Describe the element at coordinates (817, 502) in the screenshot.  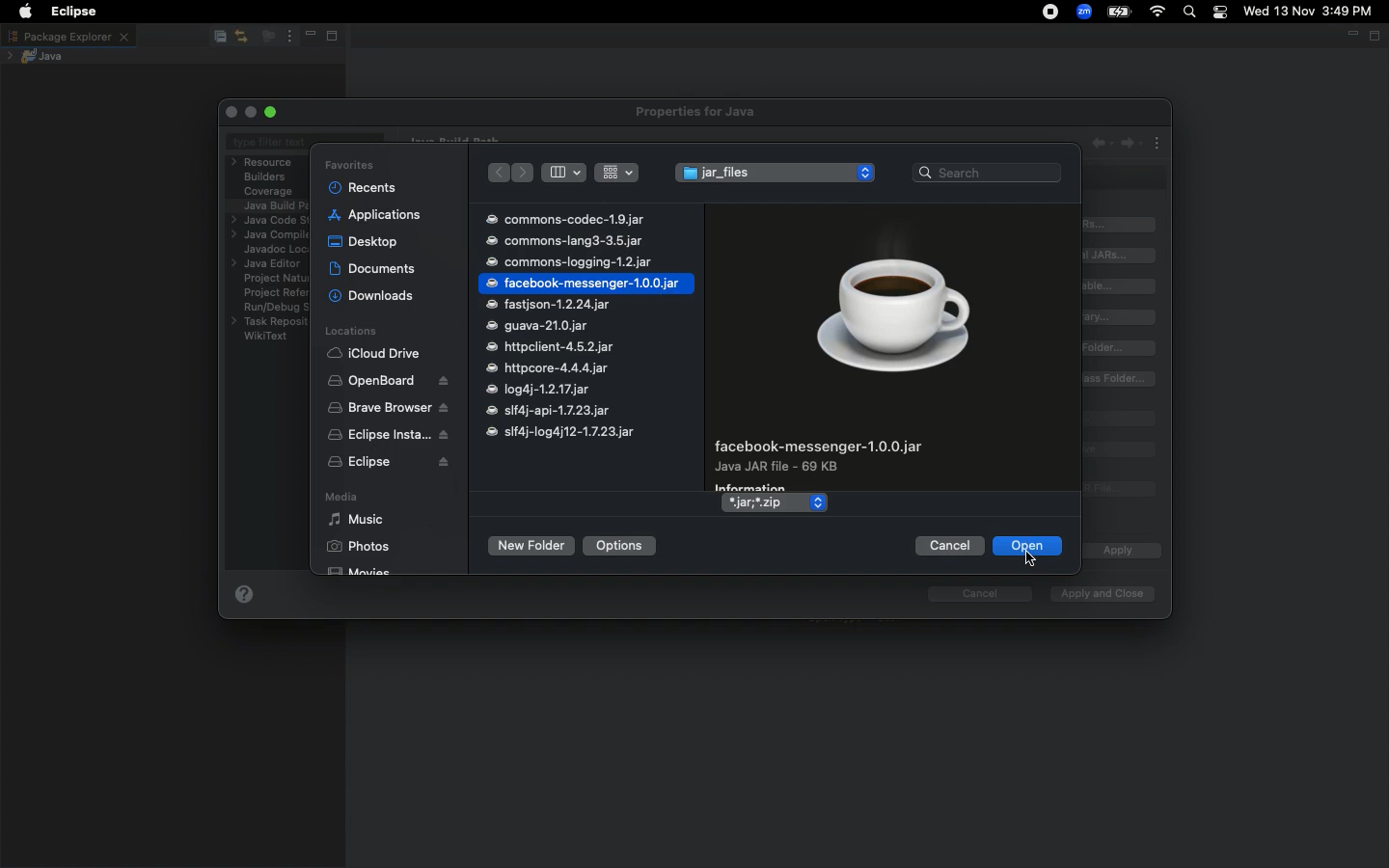
I see `increase/decrease arrows` at that location.